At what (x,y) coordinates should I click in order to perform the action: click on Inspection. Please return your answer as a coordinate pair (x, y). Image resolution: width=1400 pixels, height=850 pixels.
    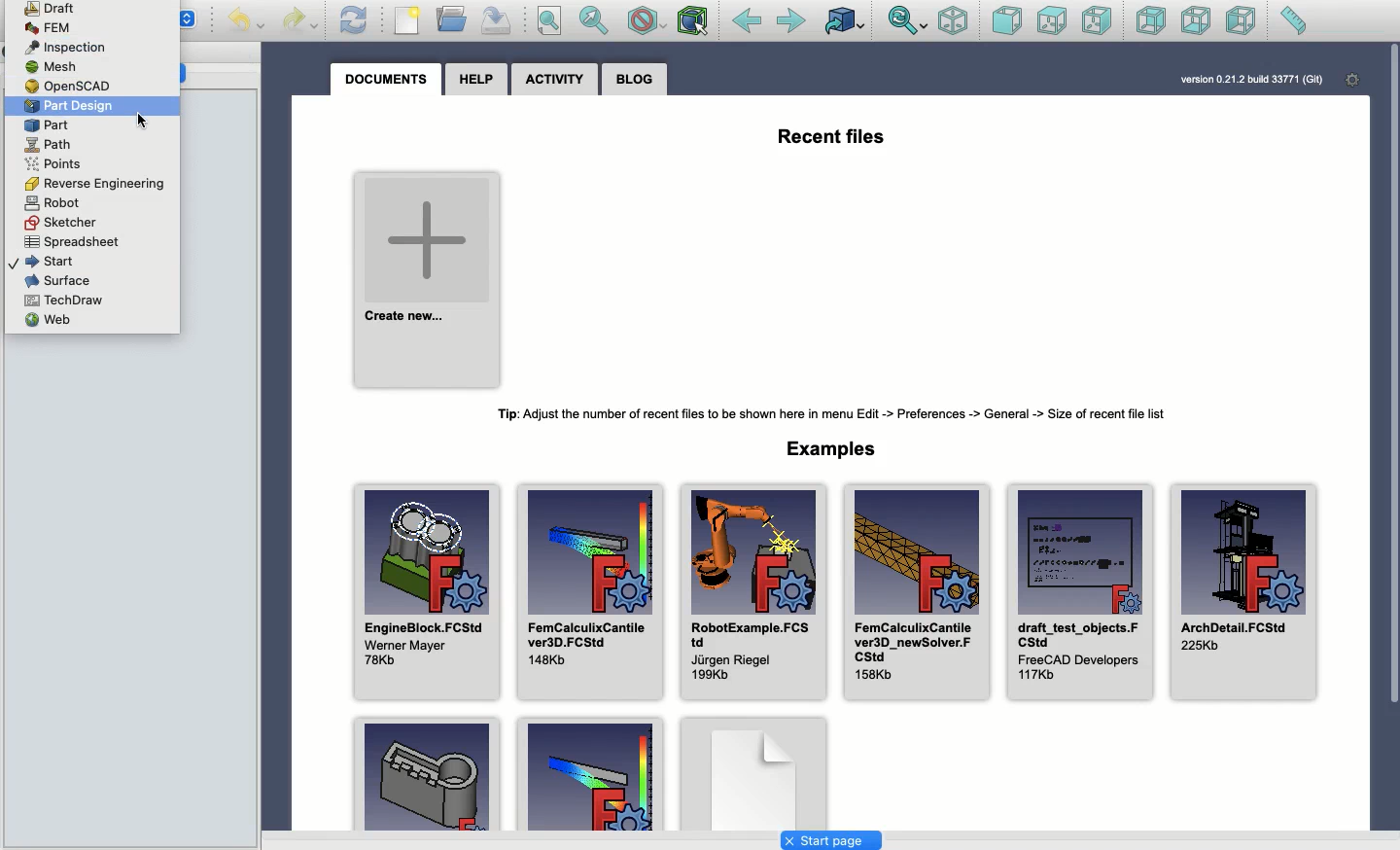
    Looking at the image, I should click on (67, 47).